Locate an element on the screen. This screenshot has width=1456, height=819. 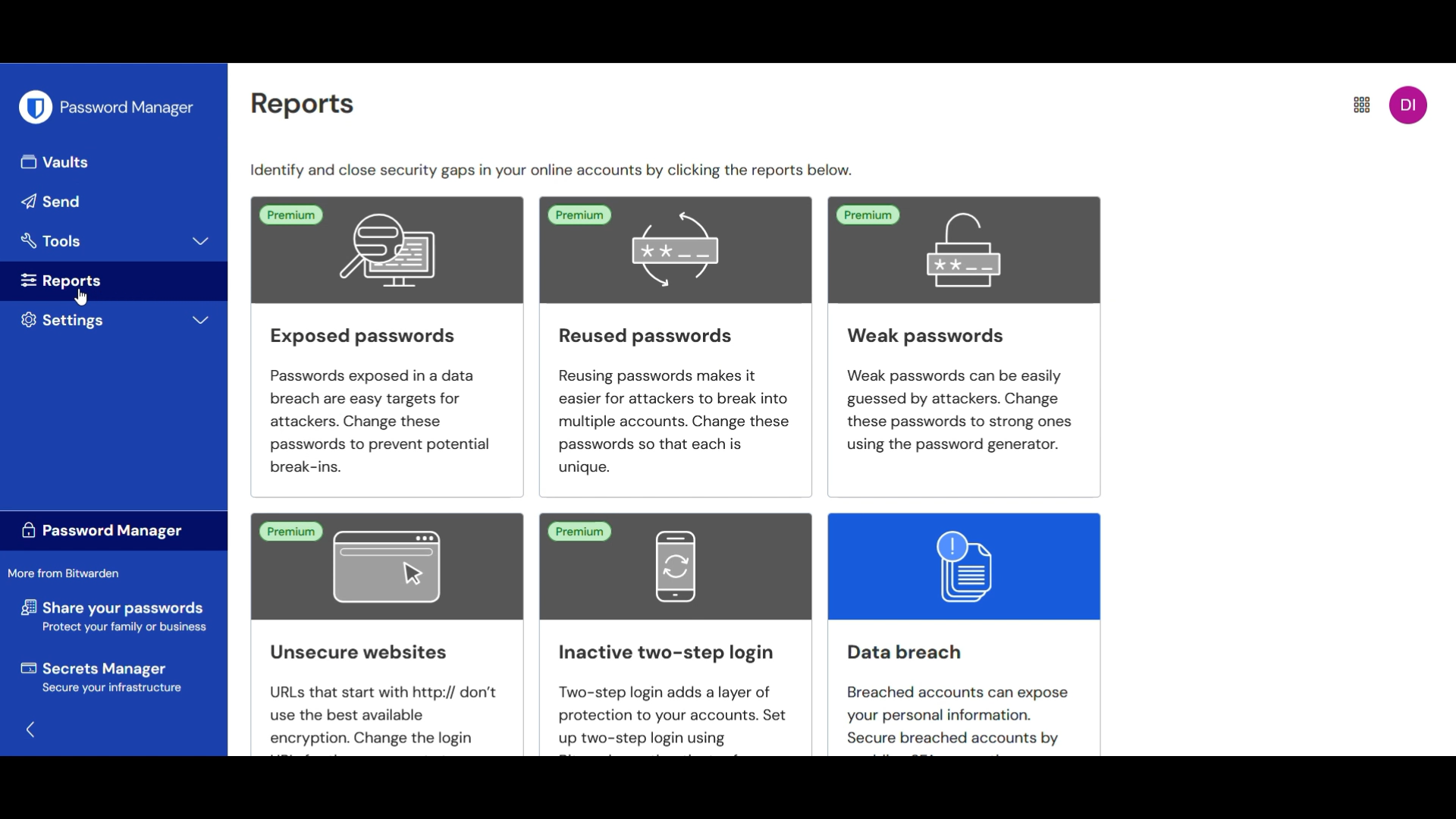
Password manager  label is located at coordinates (115, 530).